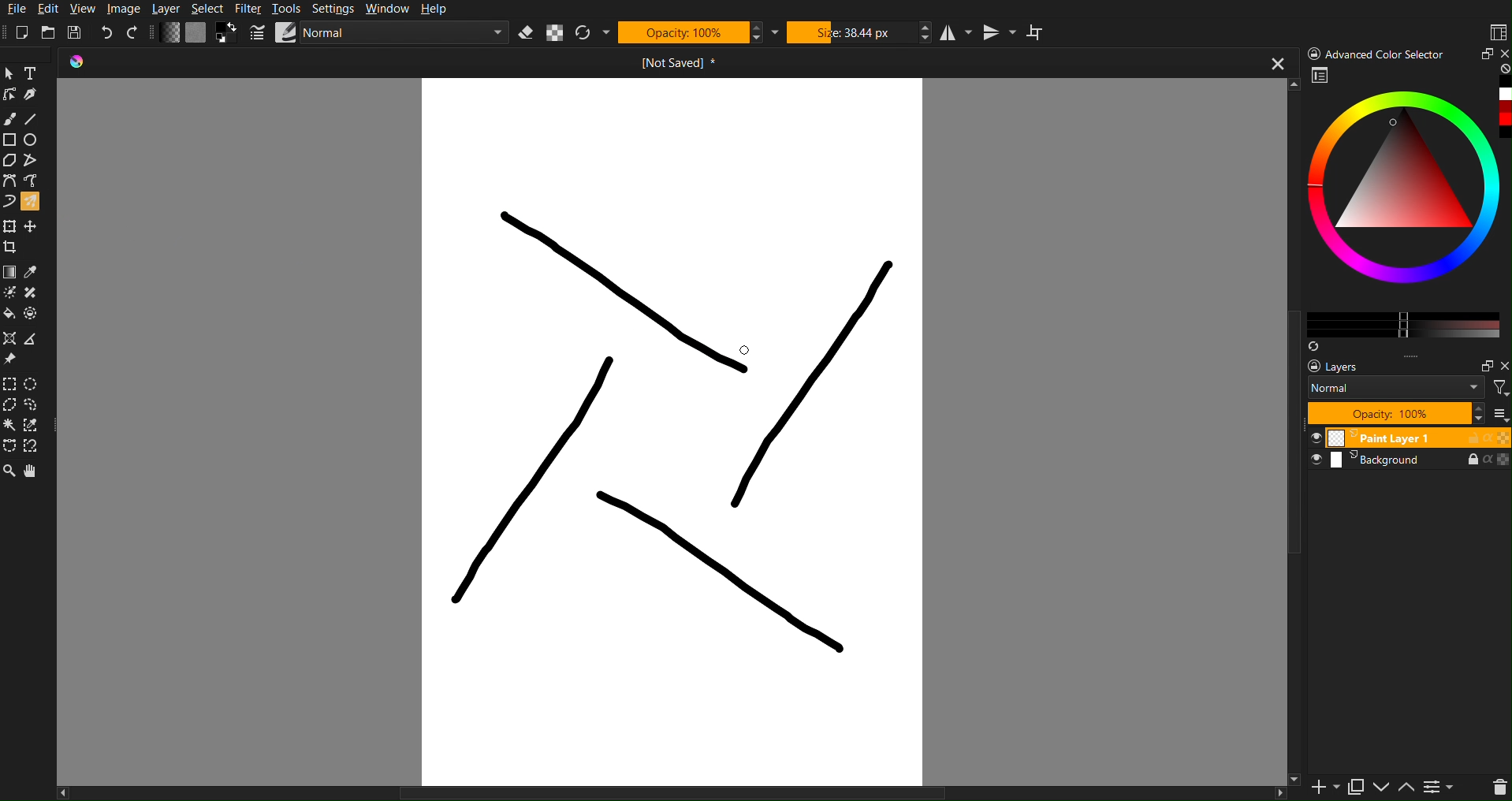  I want to click on Help, so click(440, 9).